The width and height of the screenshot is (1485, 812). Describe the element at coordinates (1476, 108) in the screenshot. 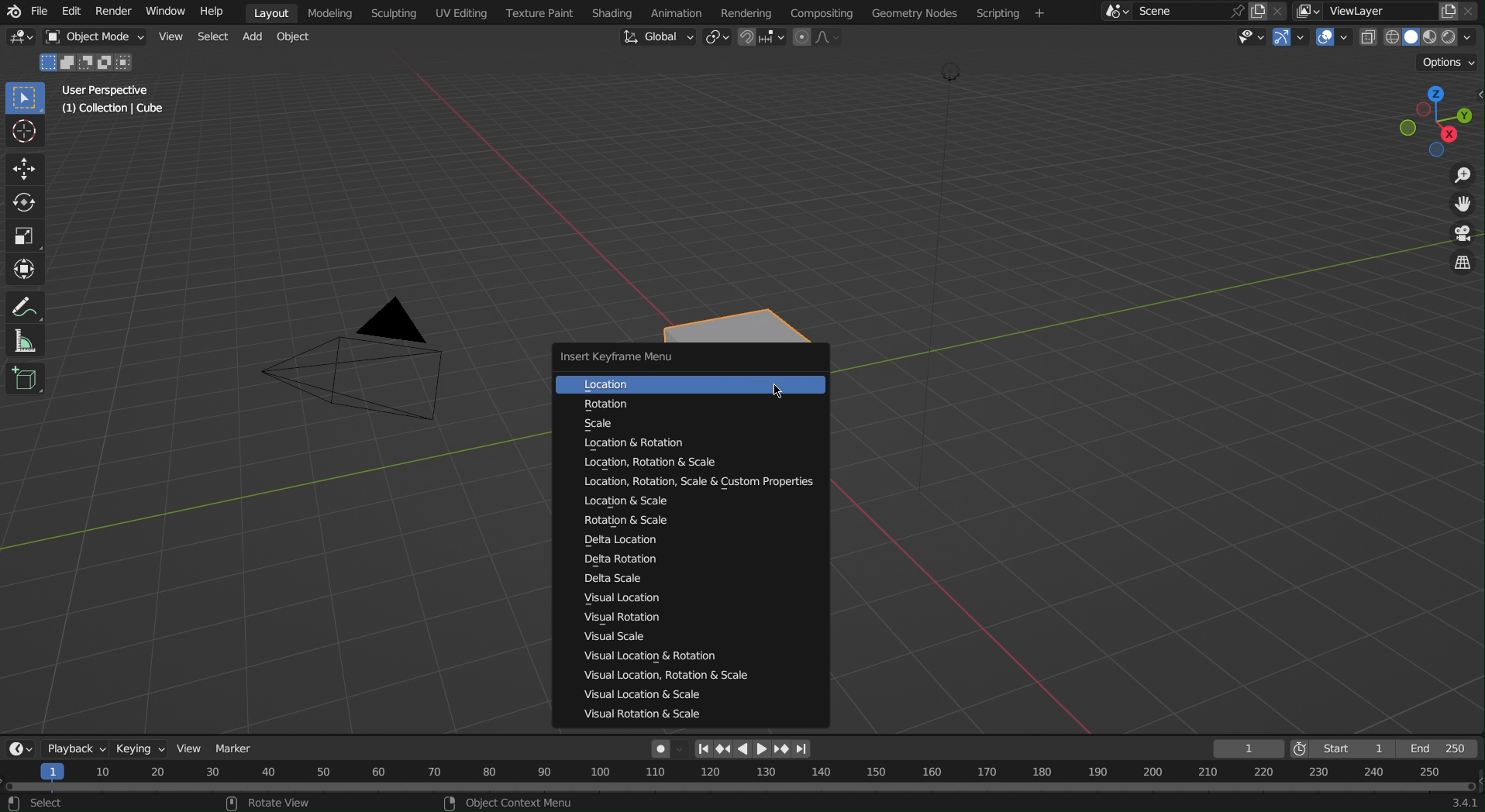

I see `Open/close side bar` at that location.